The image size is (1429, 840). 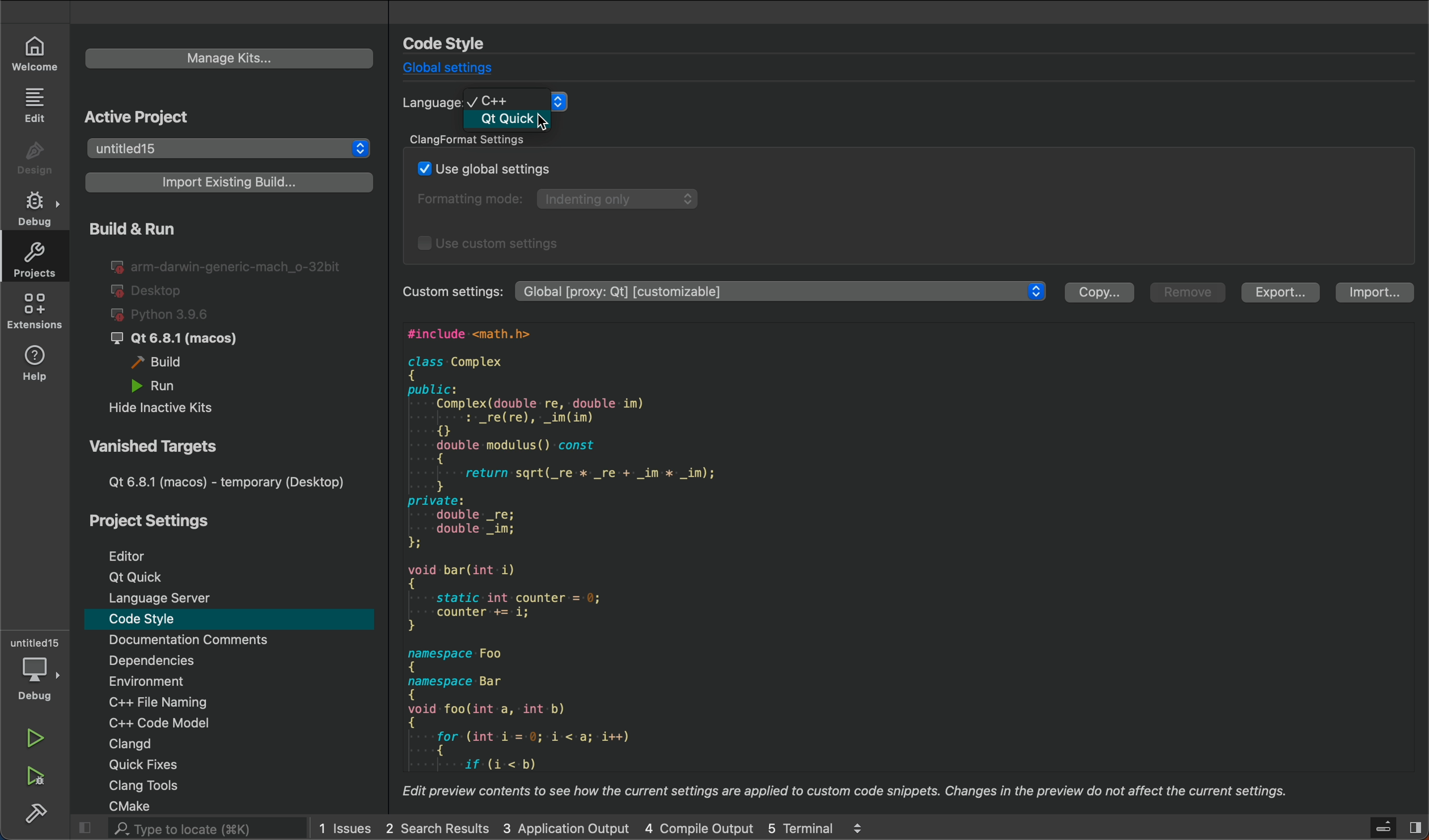 I want to click on code style, so click(x=154, y=621).